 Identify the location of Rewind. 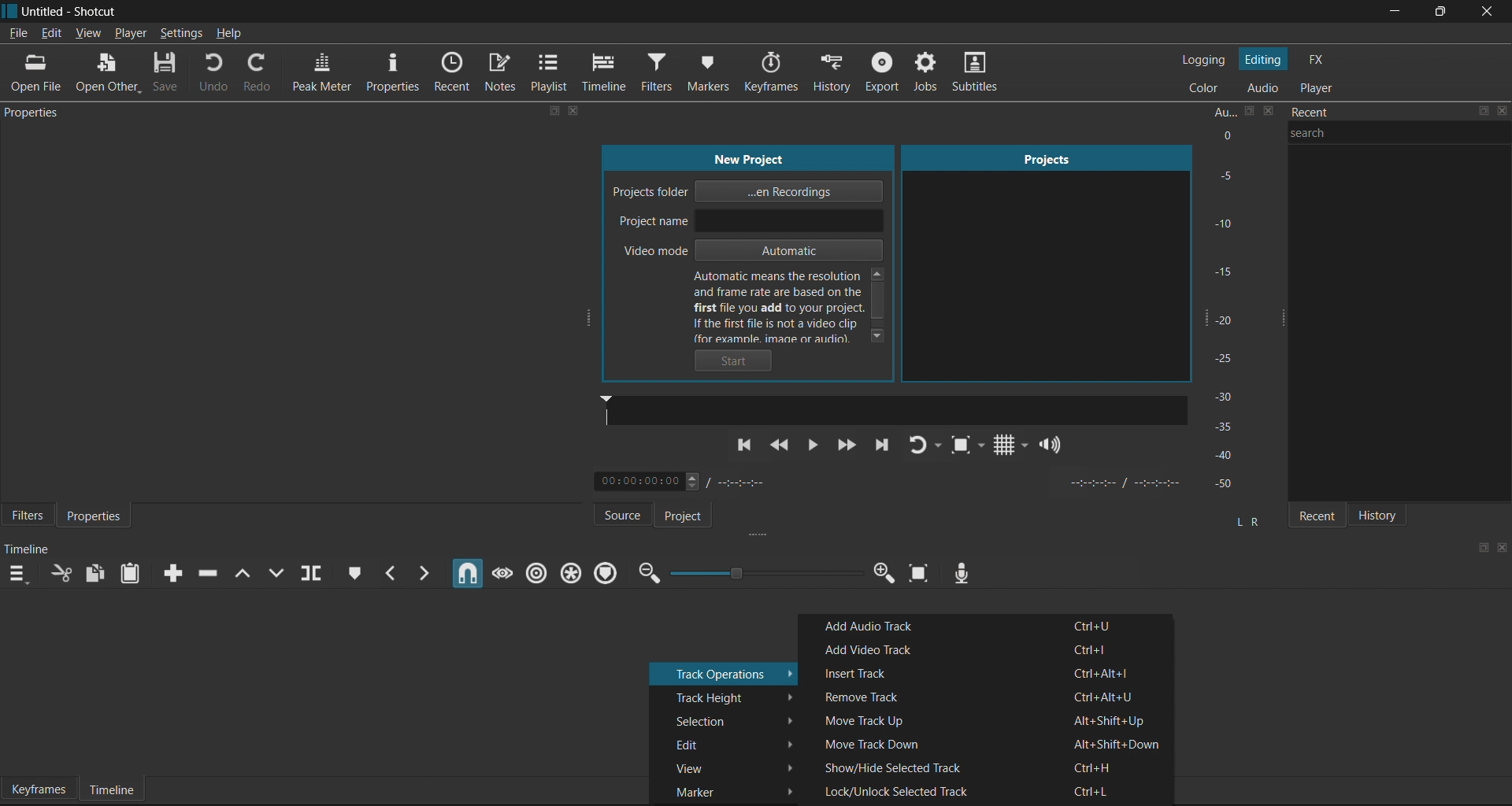
(783, 447).